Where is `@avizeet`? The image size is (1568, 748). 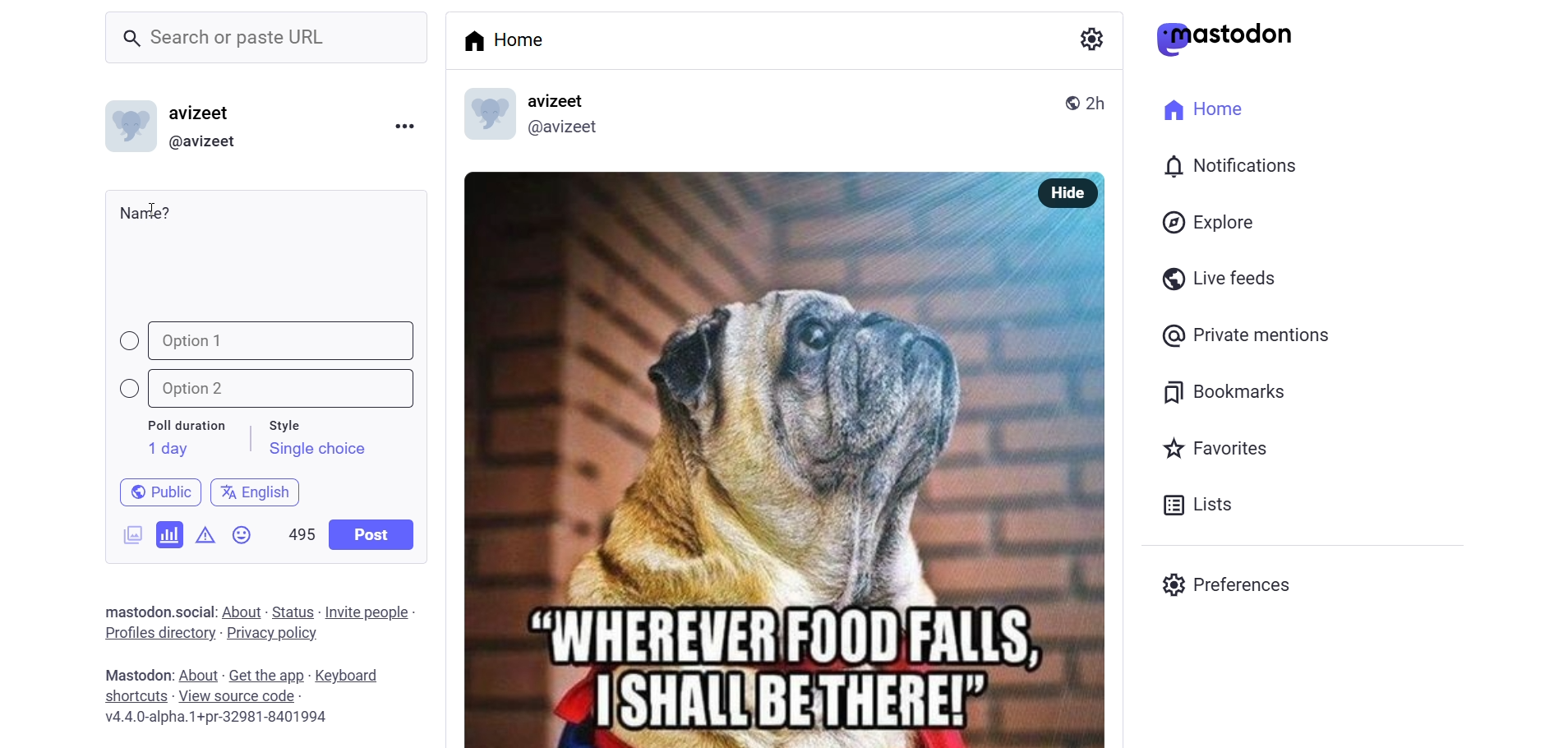
@avizeet is located at coordinates (562, 131).